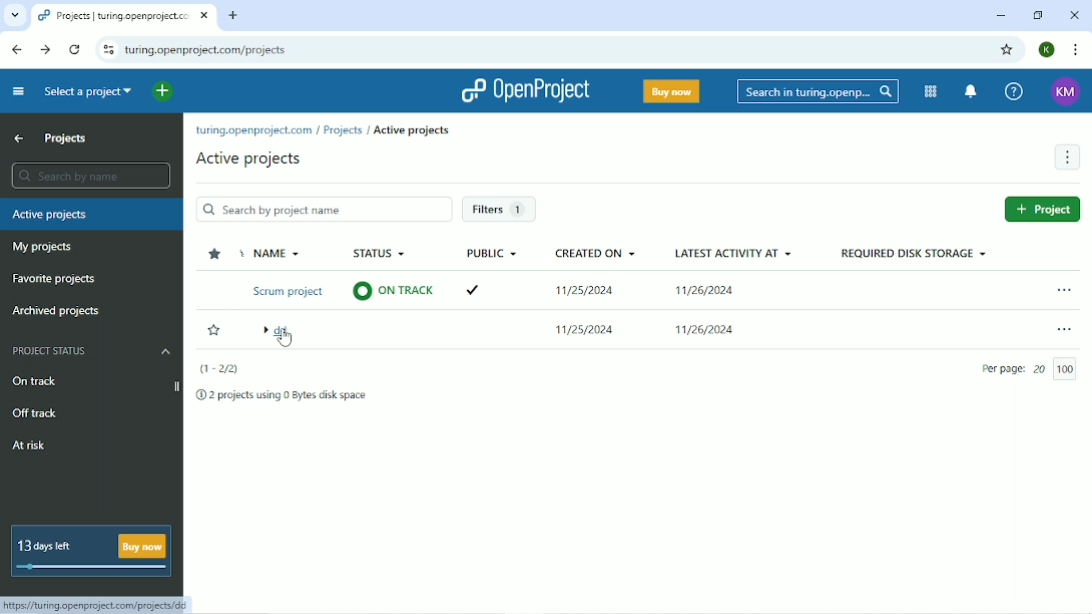 This screenshot has width=1092, height=614. Describe the element at coordinates (214, 331) in the screenshot. I see `Add to favorite` at that location.